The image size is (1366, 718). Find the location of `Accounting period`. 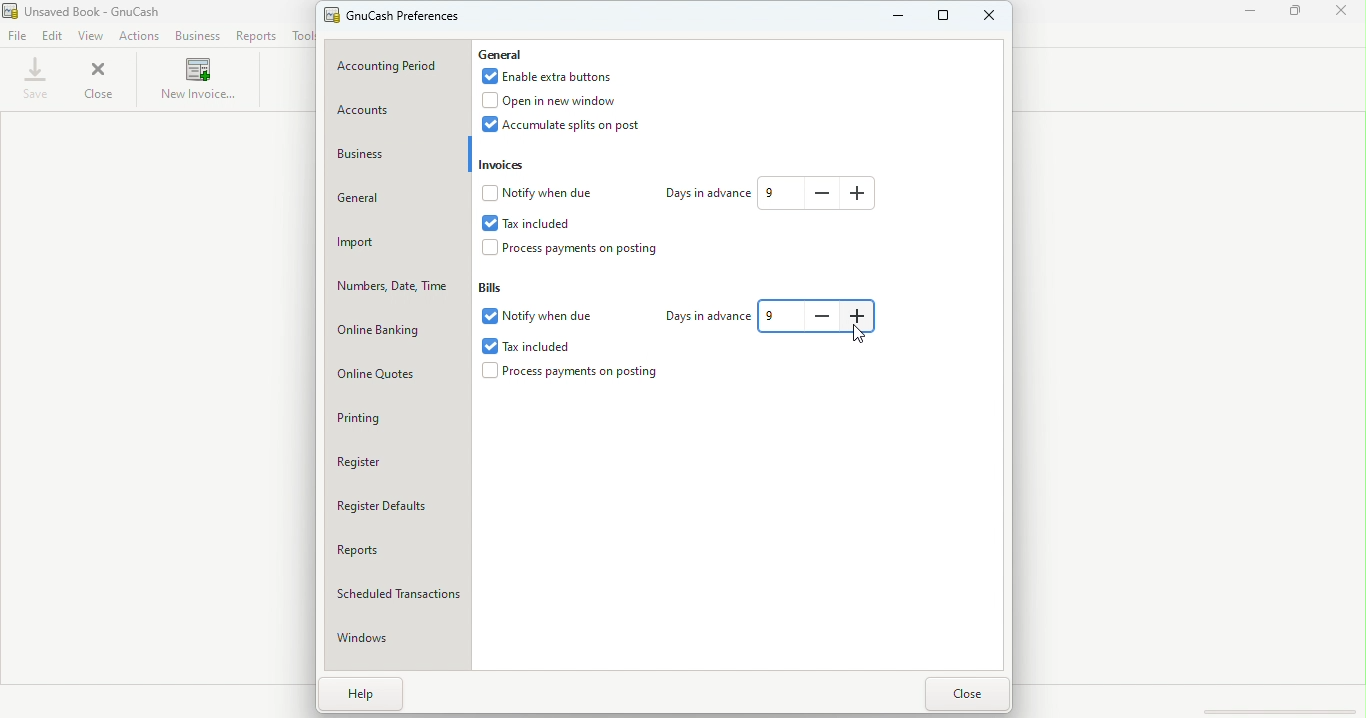

Accounting period is located at coordinates (399, 63).